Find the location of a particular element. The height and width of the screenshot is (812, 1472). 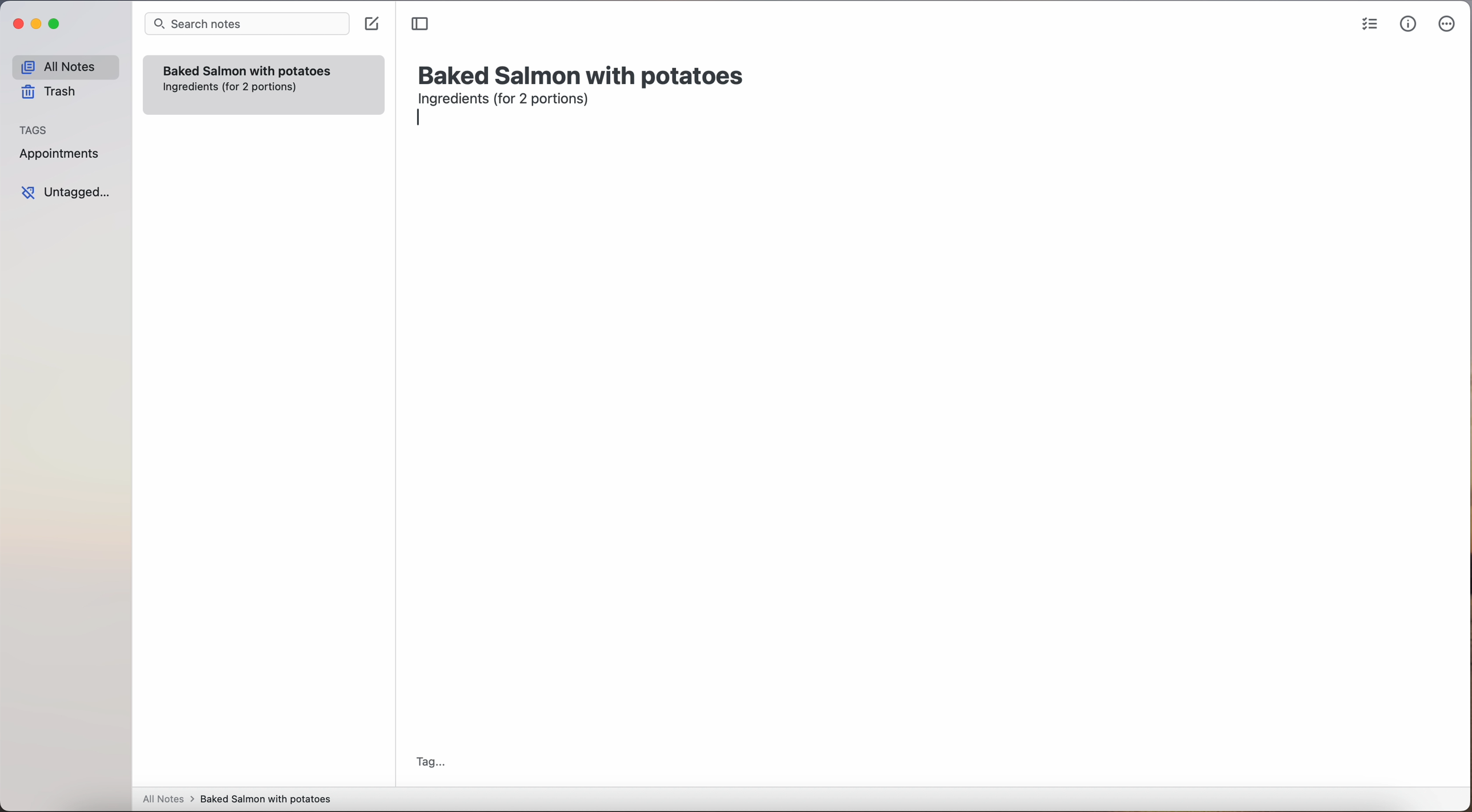

more options is located at coordinates (1449, 25).